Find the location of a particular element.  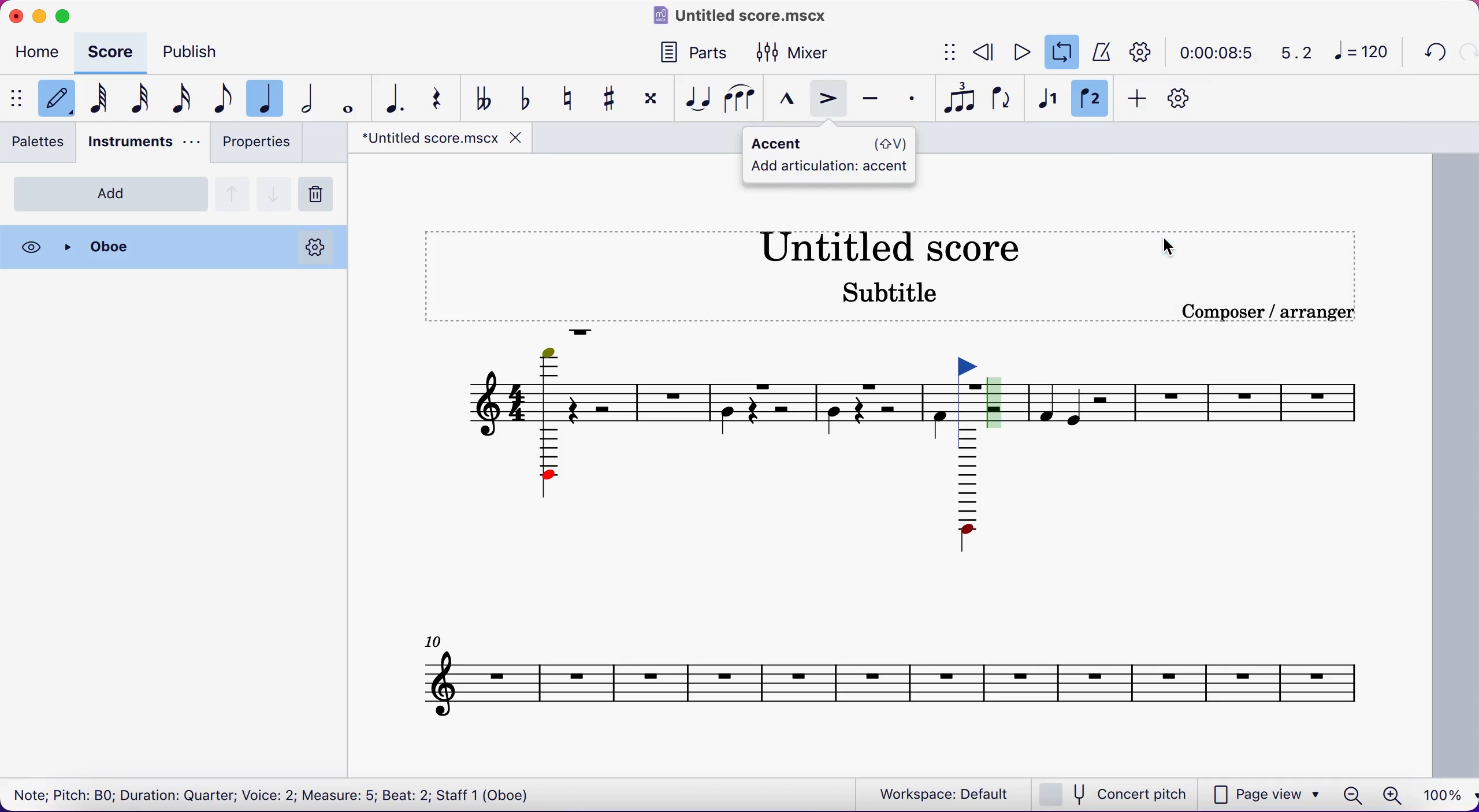

redo is located at coordinates (1466, 52).